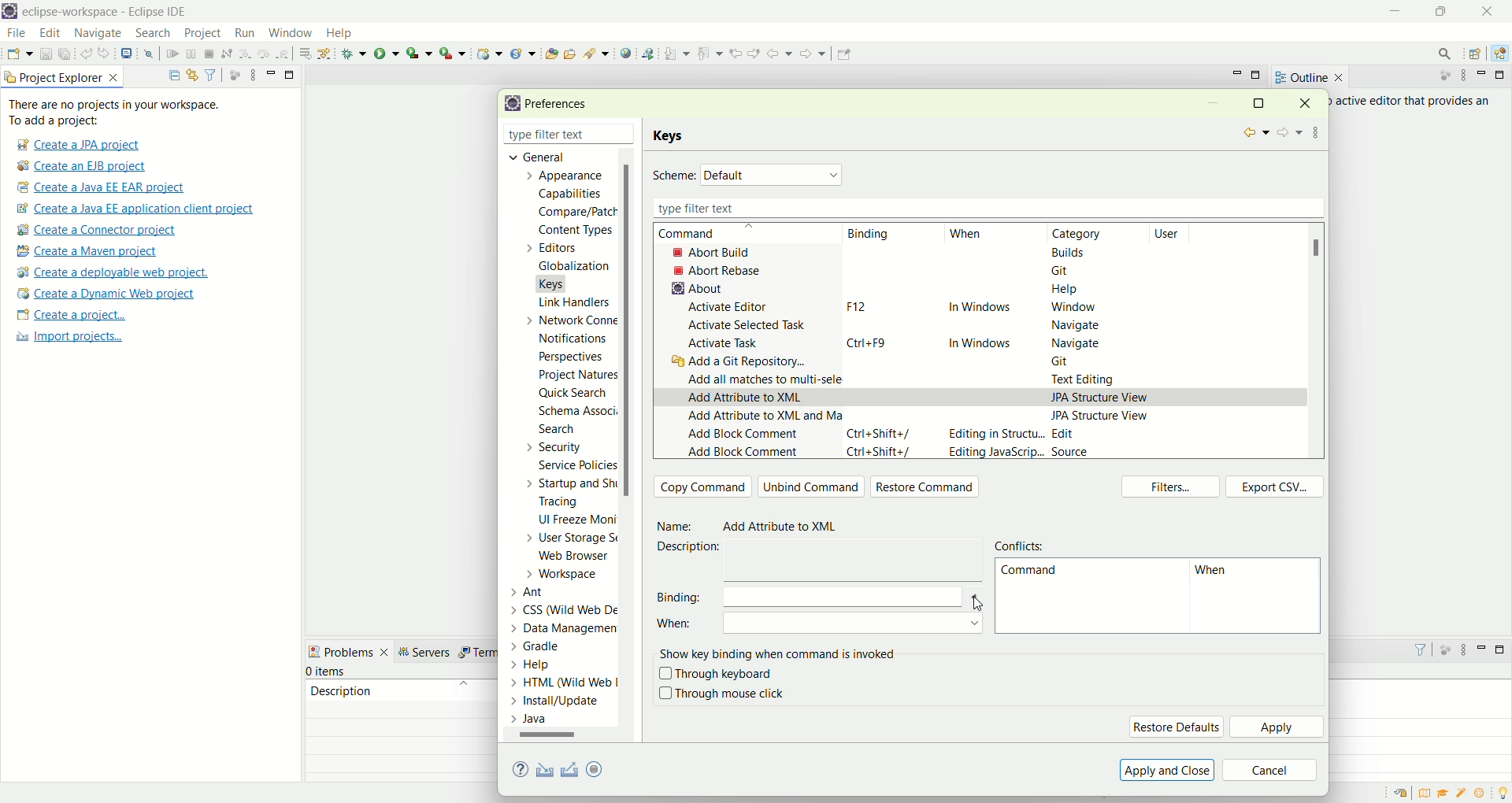 This screenshot has width=1512, height=803. Describe the element at coordinates (756, 52) in the screenshot. I see `next edit location` at that location.